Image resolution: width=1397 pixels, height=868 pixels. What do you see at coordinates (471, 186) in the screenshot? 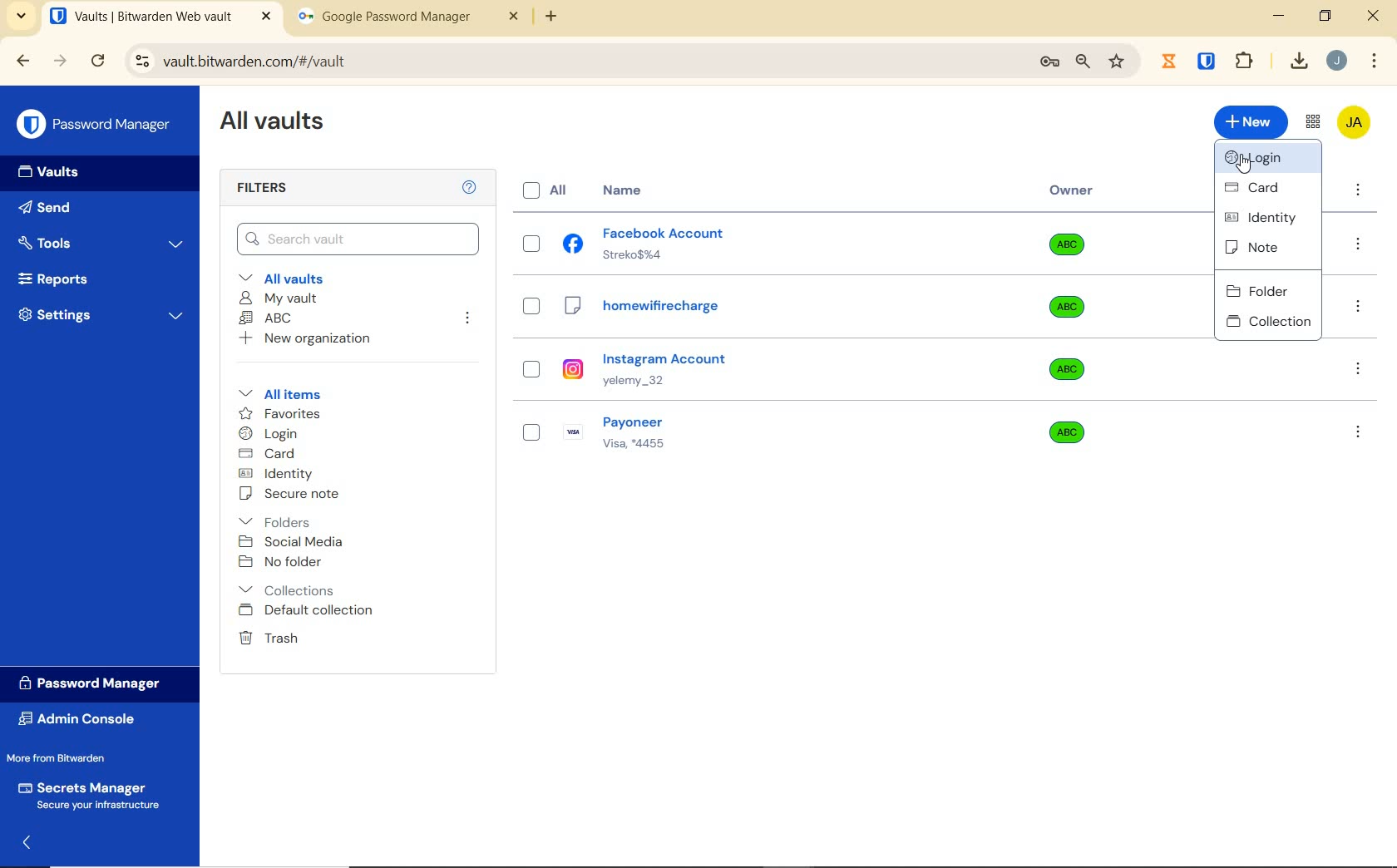
I see `Help` at bounding box center [471, 186].